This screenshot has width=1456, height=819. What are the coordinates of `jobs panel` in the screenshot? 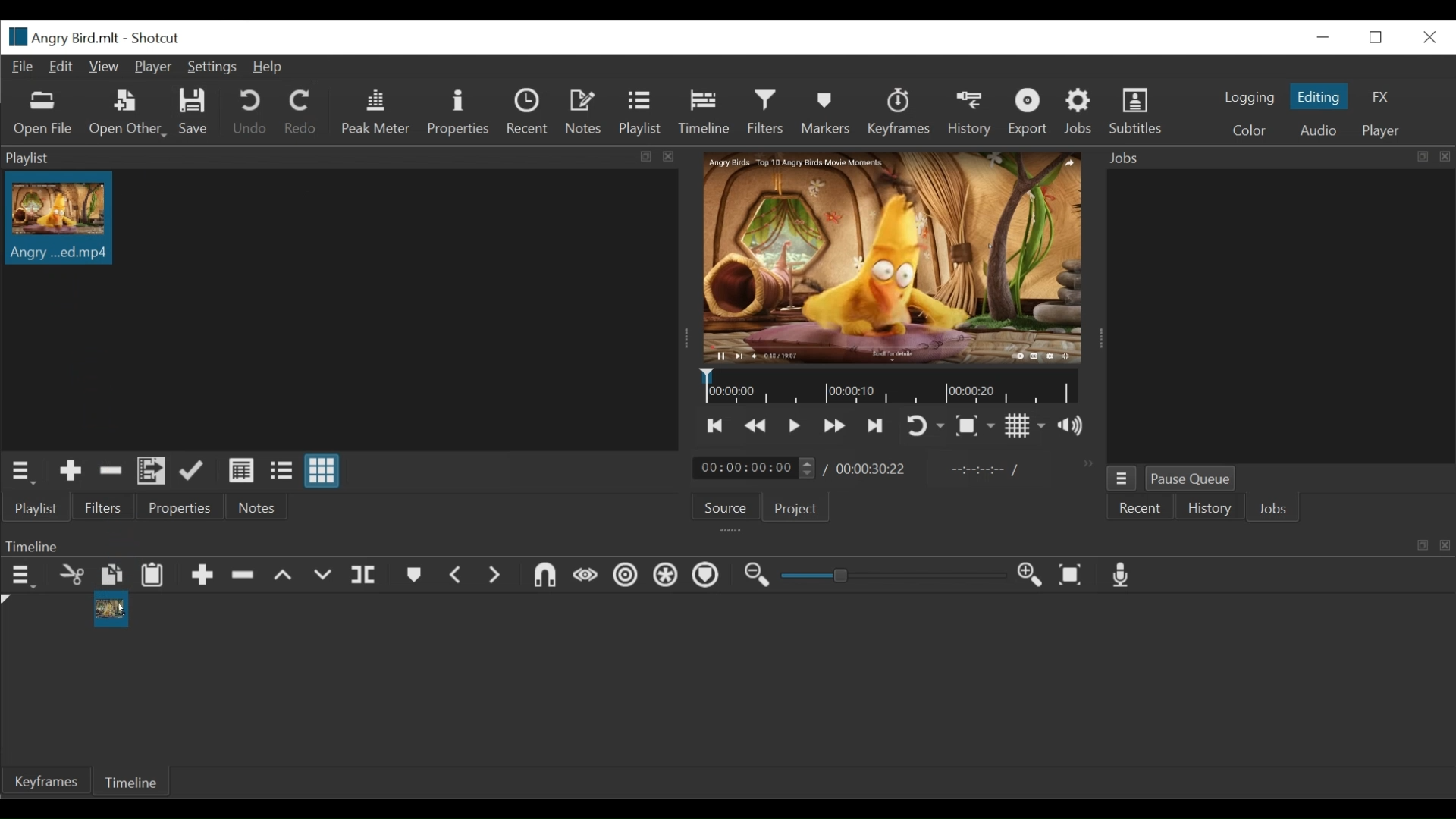 It's located at (1282, 318).